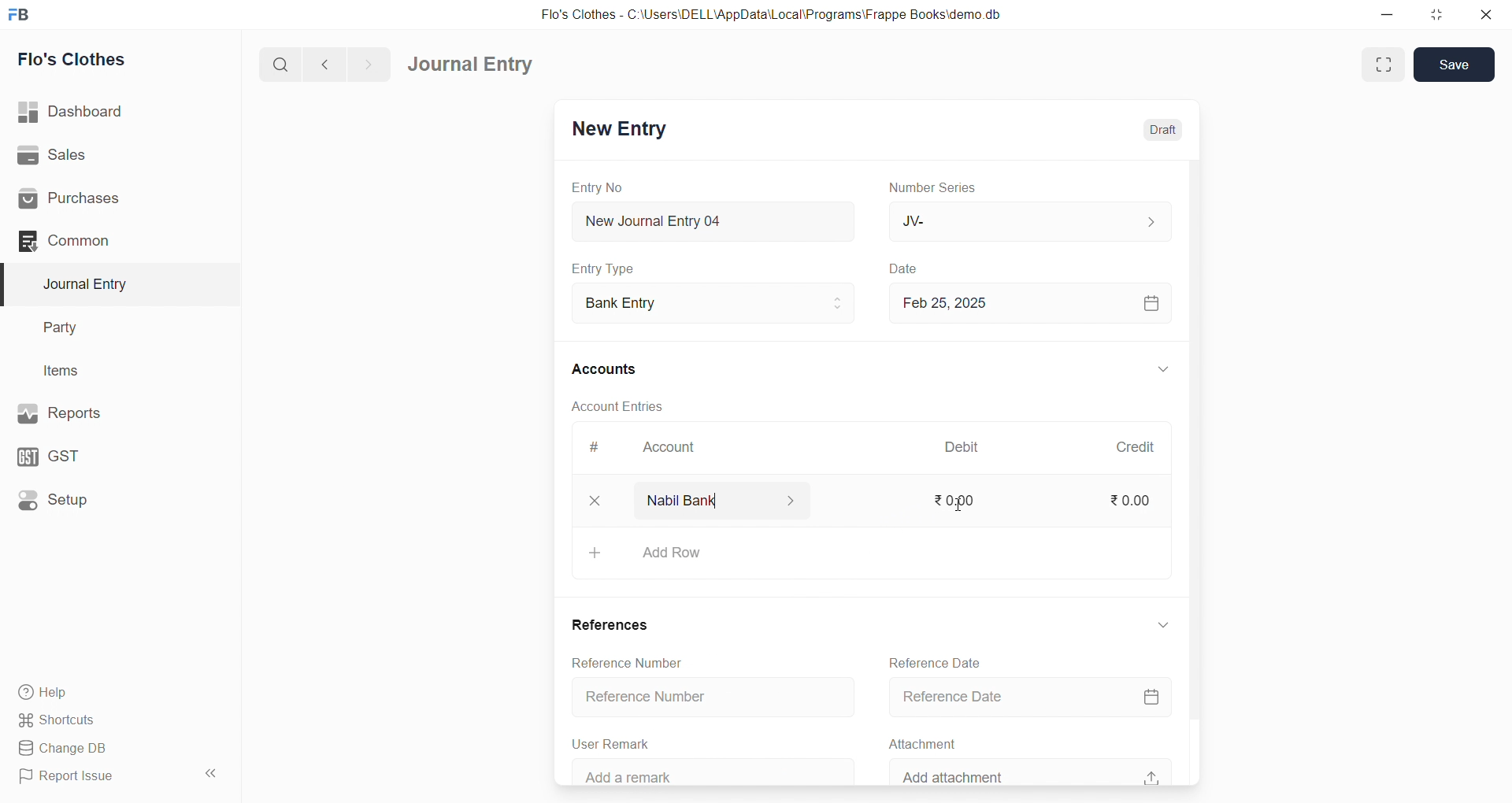 This screenshot has height=803, width=1512. Describe the element at coordinates (476, 65) in the screenshot. I see `Journal Entry` at that location.